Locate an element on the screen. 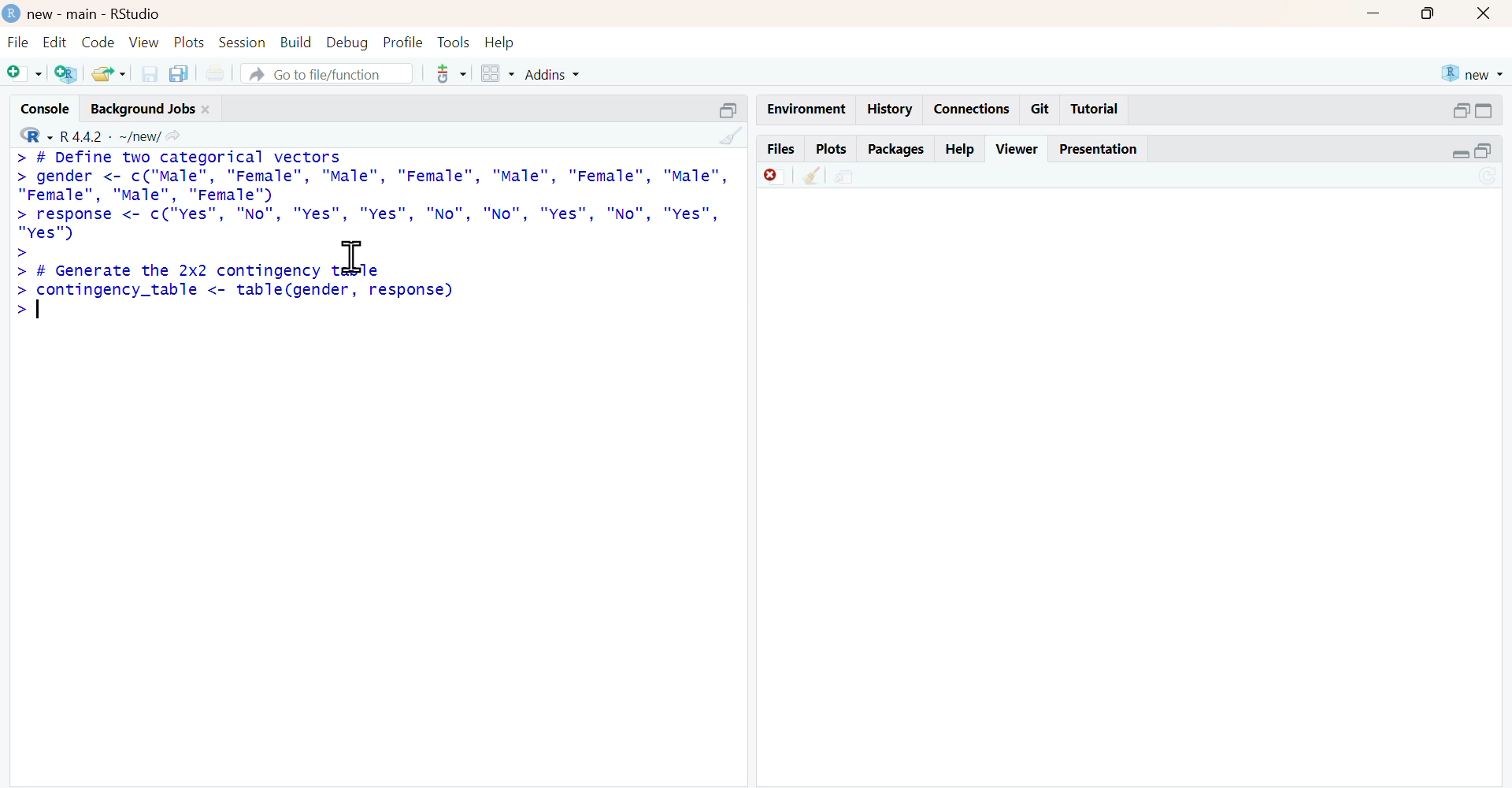 Image resolution: width=1512 pixels, height=788 pixels. git is located at coordinates (1042, 110).